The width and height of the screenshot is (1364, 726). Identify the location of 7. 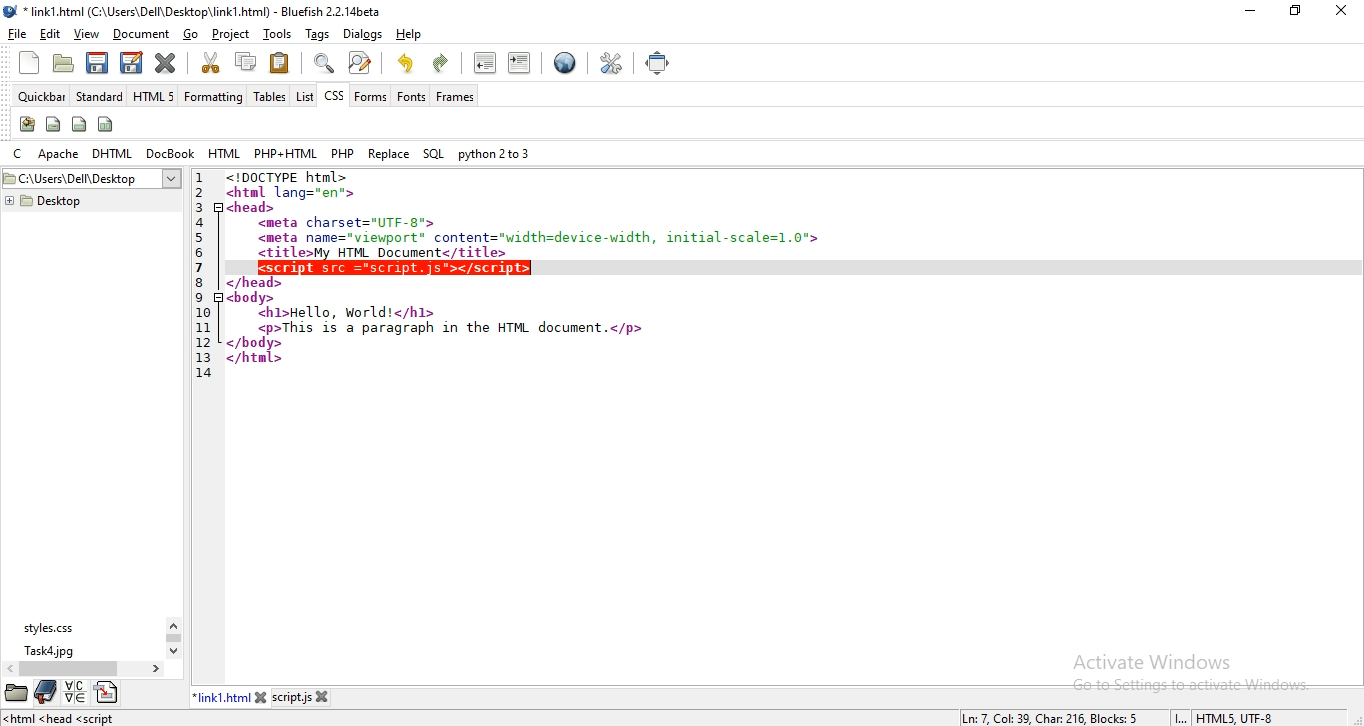
(199, 268).